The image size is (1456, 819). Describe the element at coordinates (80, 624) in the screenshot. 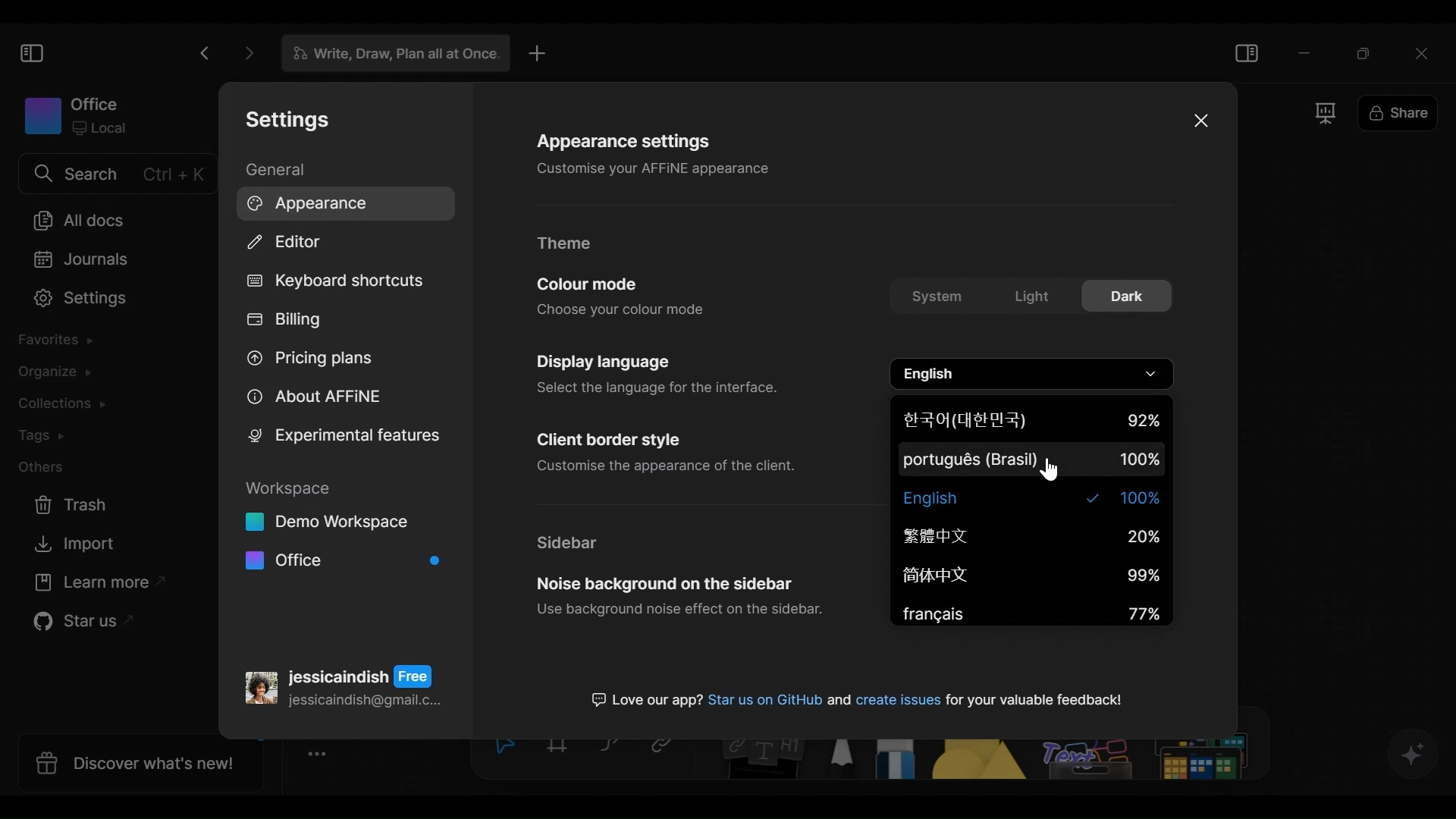

I see `Star us` at that location.